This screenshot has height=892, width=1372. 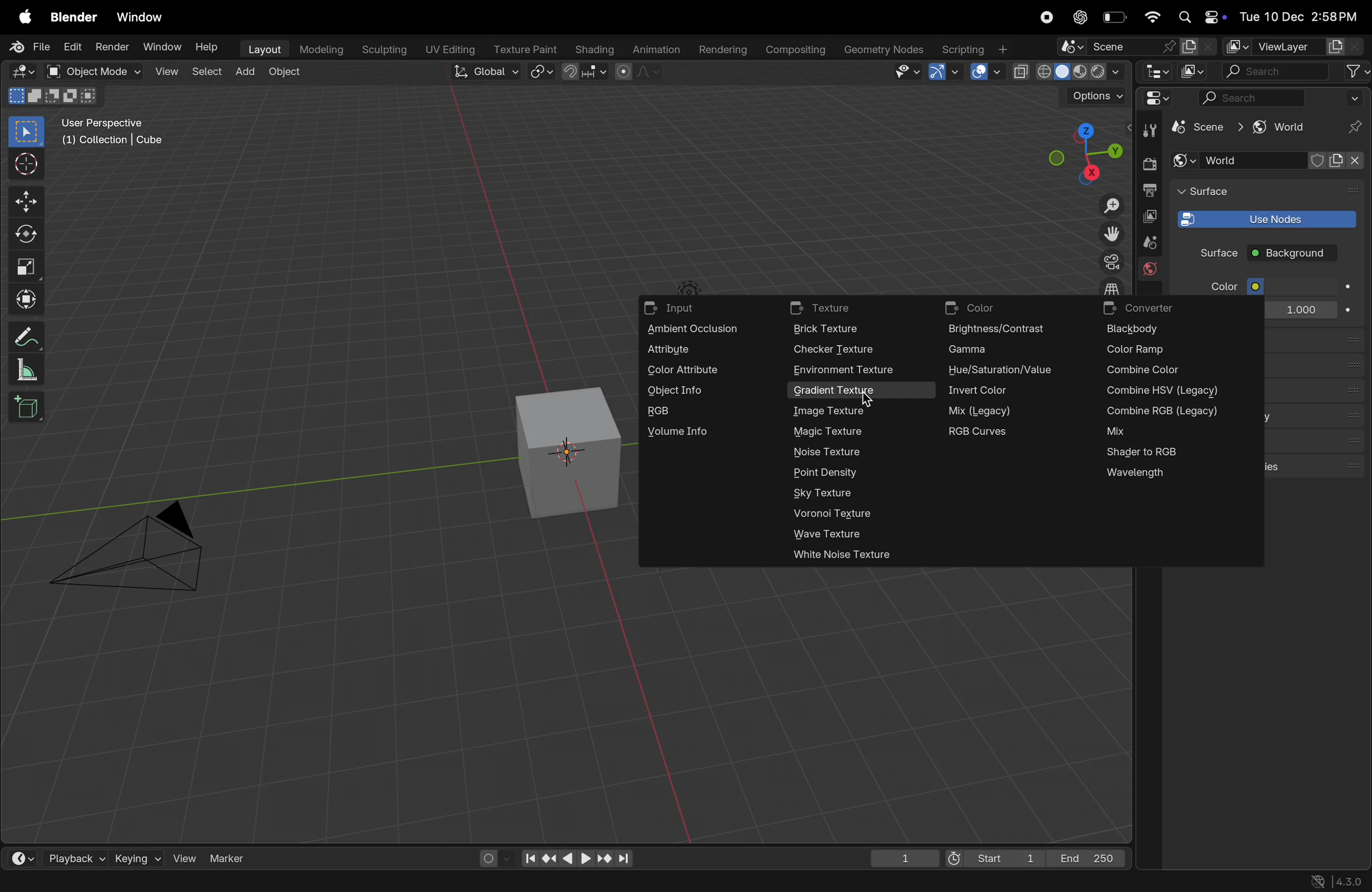 What do you see at coordinates (978, 49) in the screenshot?
I see `Scripting` at bounding box center [978, 49].